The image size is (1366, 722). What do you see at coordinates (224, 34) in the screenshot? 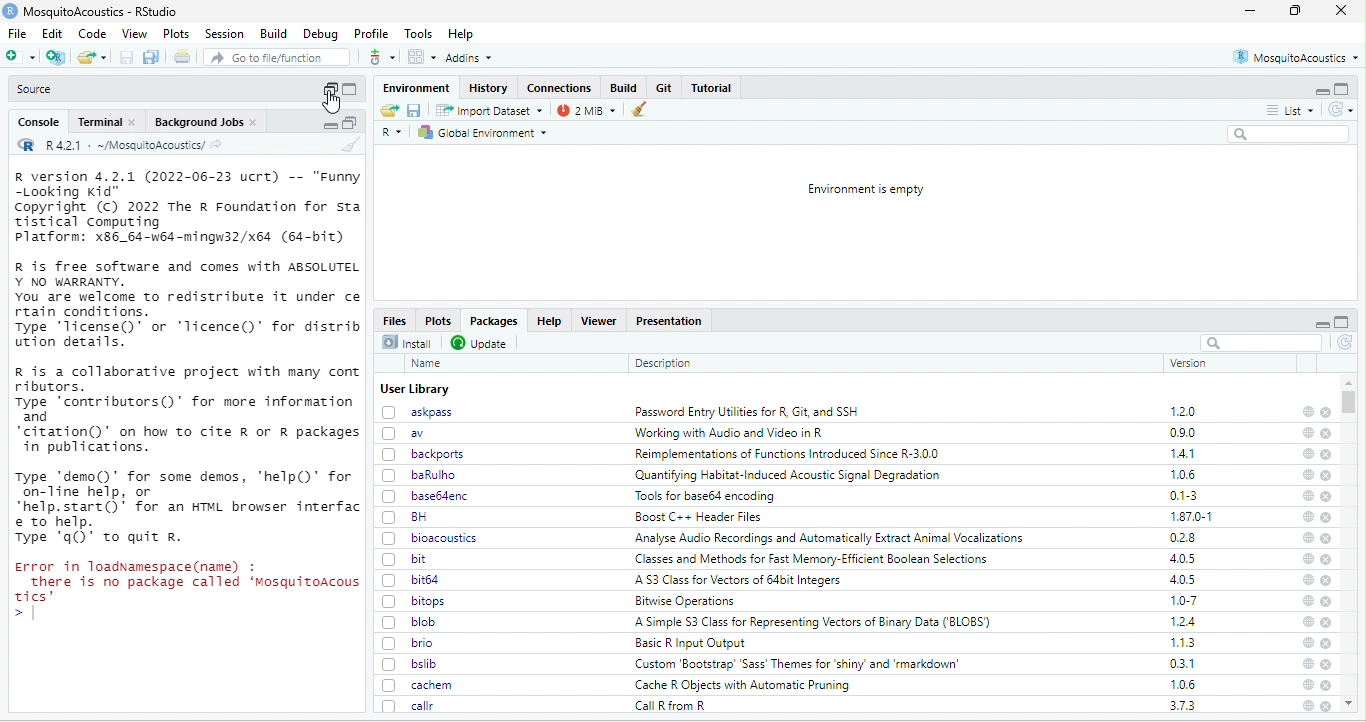
I see `Session` at bounding box center [224, 34].